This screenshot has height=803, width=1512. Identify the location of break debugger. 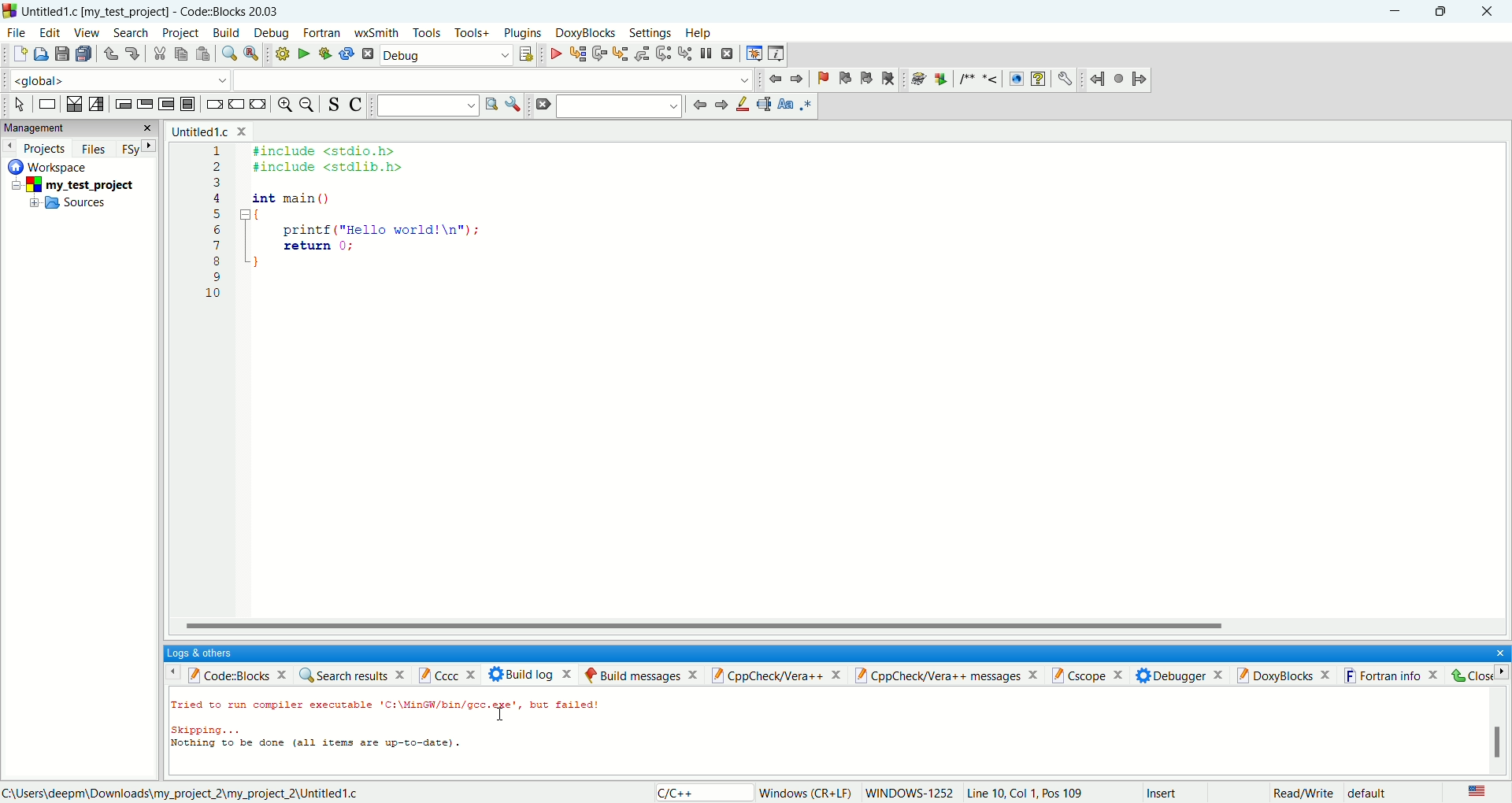
(710, 54).